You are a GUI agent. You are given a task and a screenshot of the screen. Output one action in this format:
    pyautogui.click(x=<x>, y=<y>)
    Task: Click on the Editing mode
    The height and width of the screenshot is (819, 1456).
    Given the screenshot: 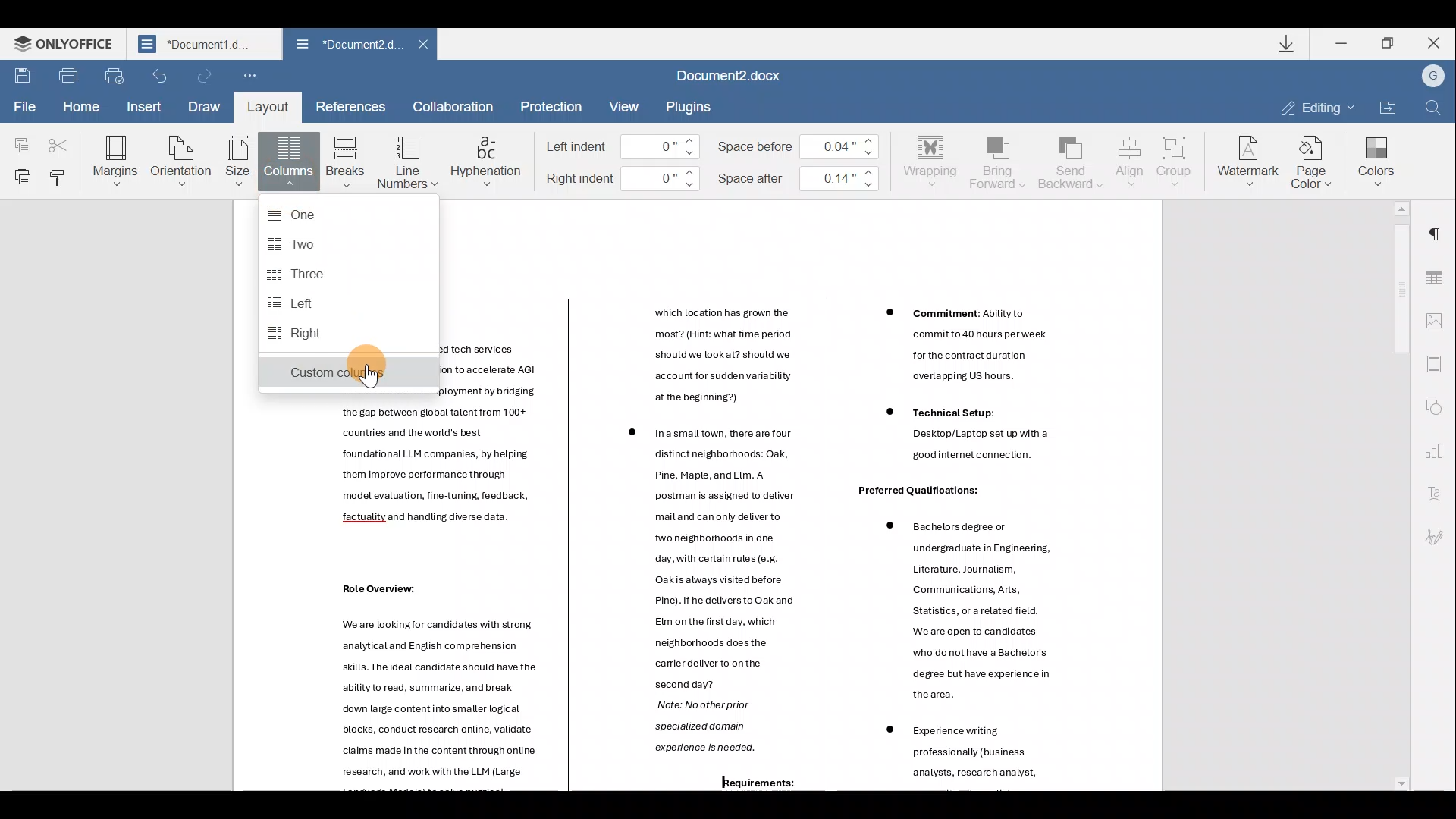 What is the action you would take?
    pyautogui.click(x=1316, y=106)
    